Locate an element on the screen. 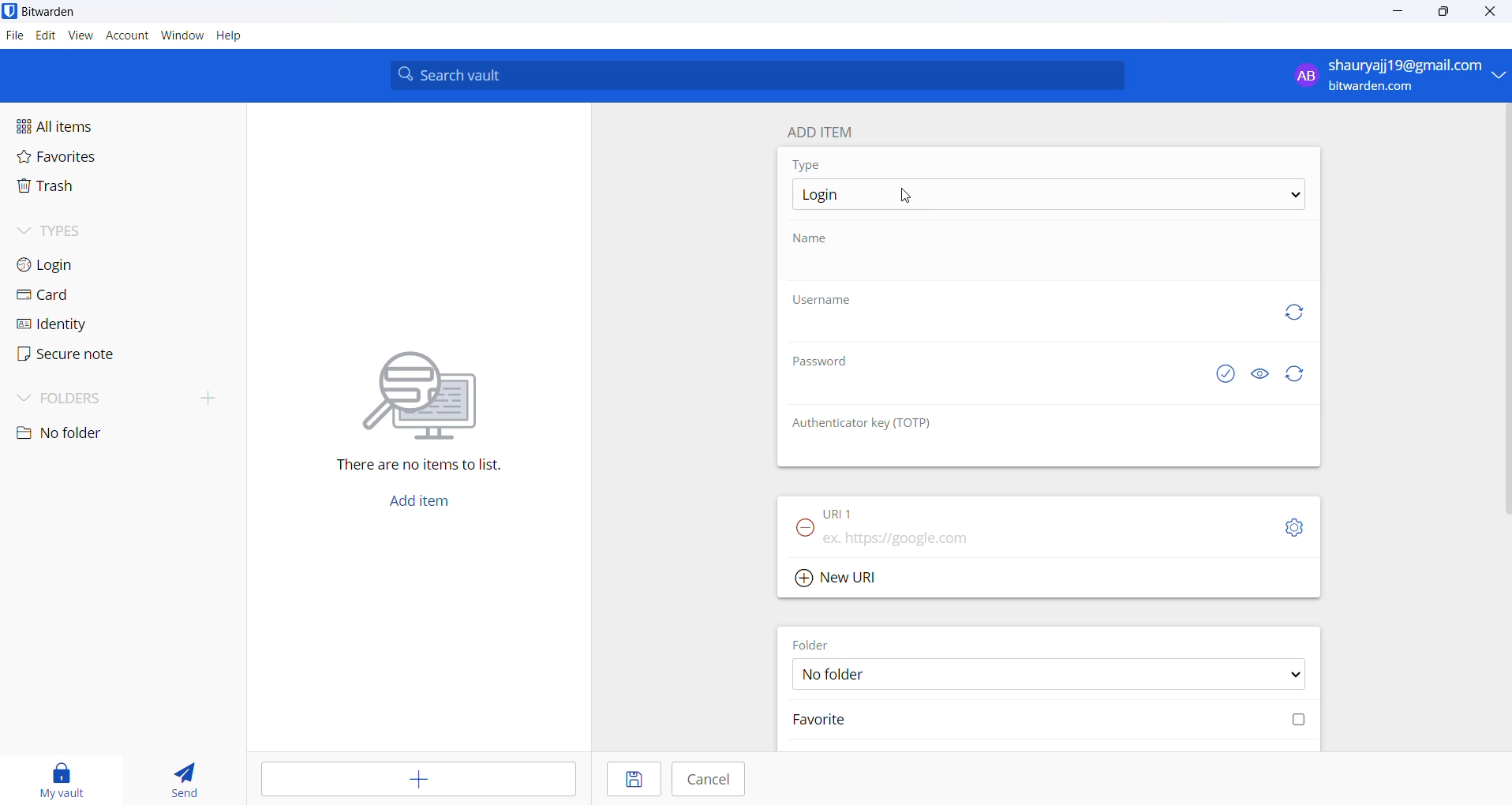 This screenshot has height=805, width=1512. my vault is located at coordinates (68, 777).